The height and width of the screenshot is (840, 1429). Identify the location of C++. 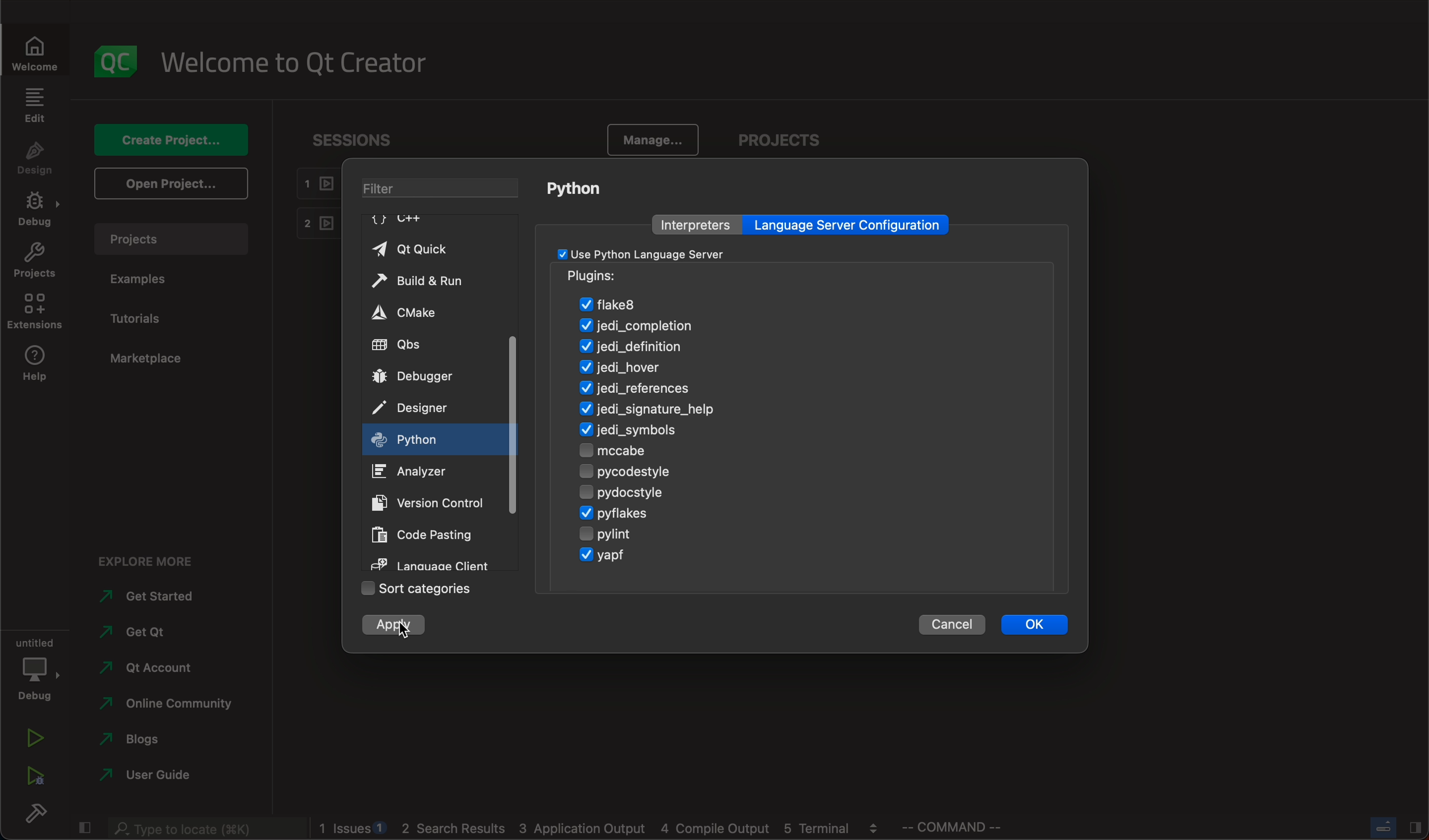
(392, 218).